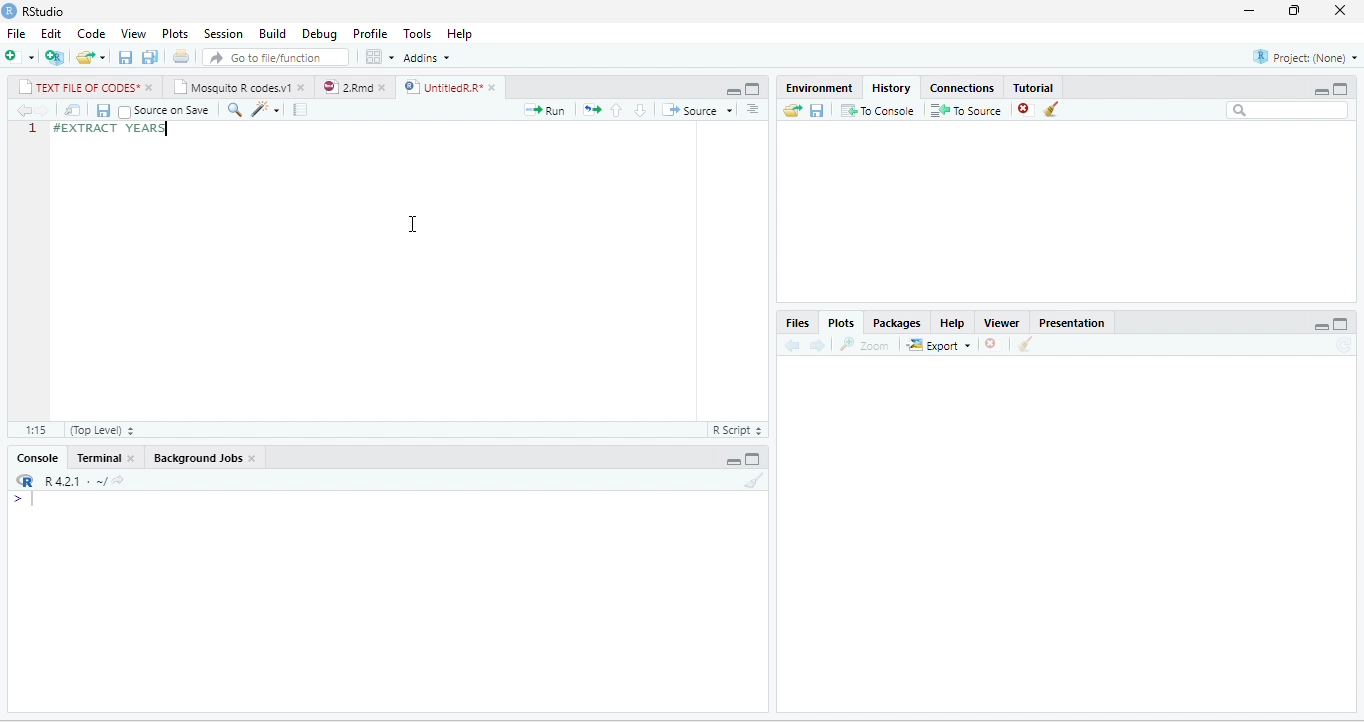 The image size is (1364, 722). What do you see at coordinates (24, 500) in the screenshot?
I see `>` at bounding box center [24, 500].